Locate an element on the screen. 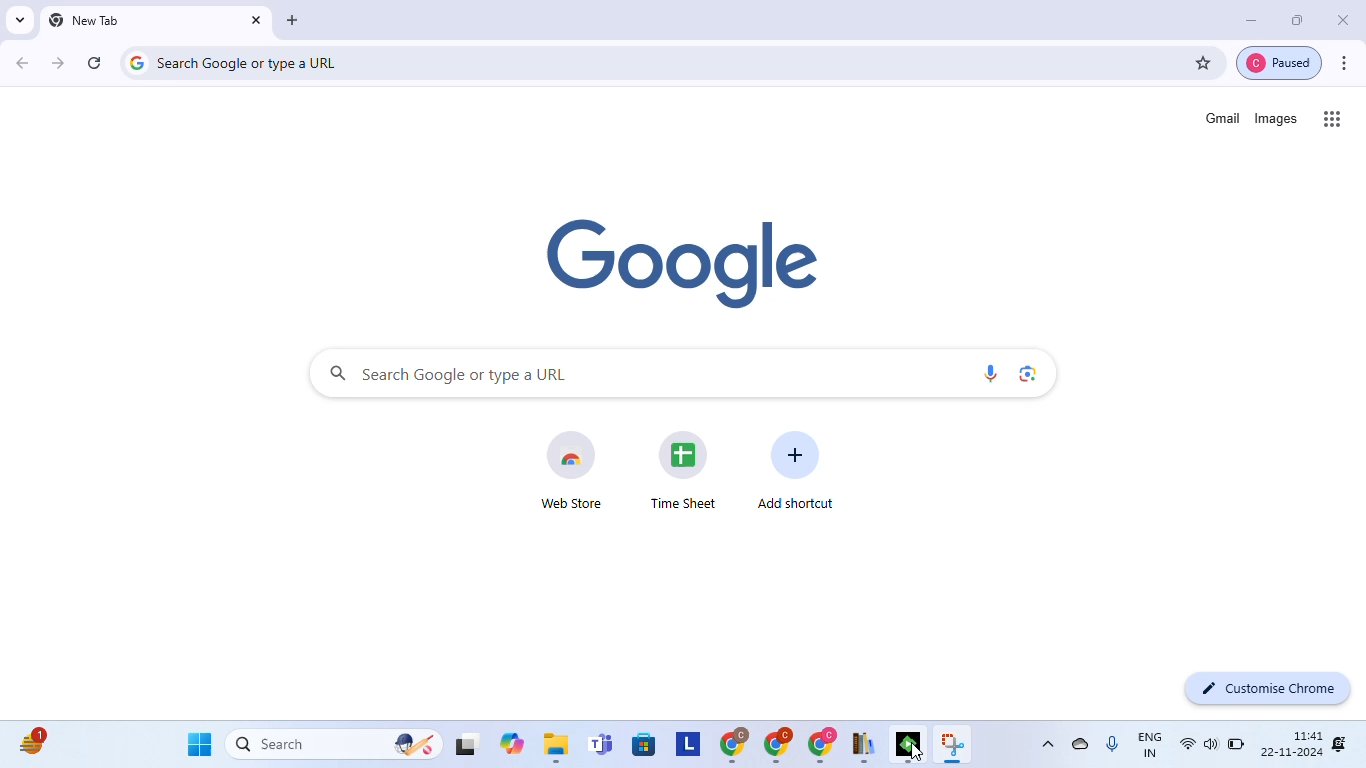 The height and width of the screenshot is (768, 1366). search is located at coordinates (332, 744).